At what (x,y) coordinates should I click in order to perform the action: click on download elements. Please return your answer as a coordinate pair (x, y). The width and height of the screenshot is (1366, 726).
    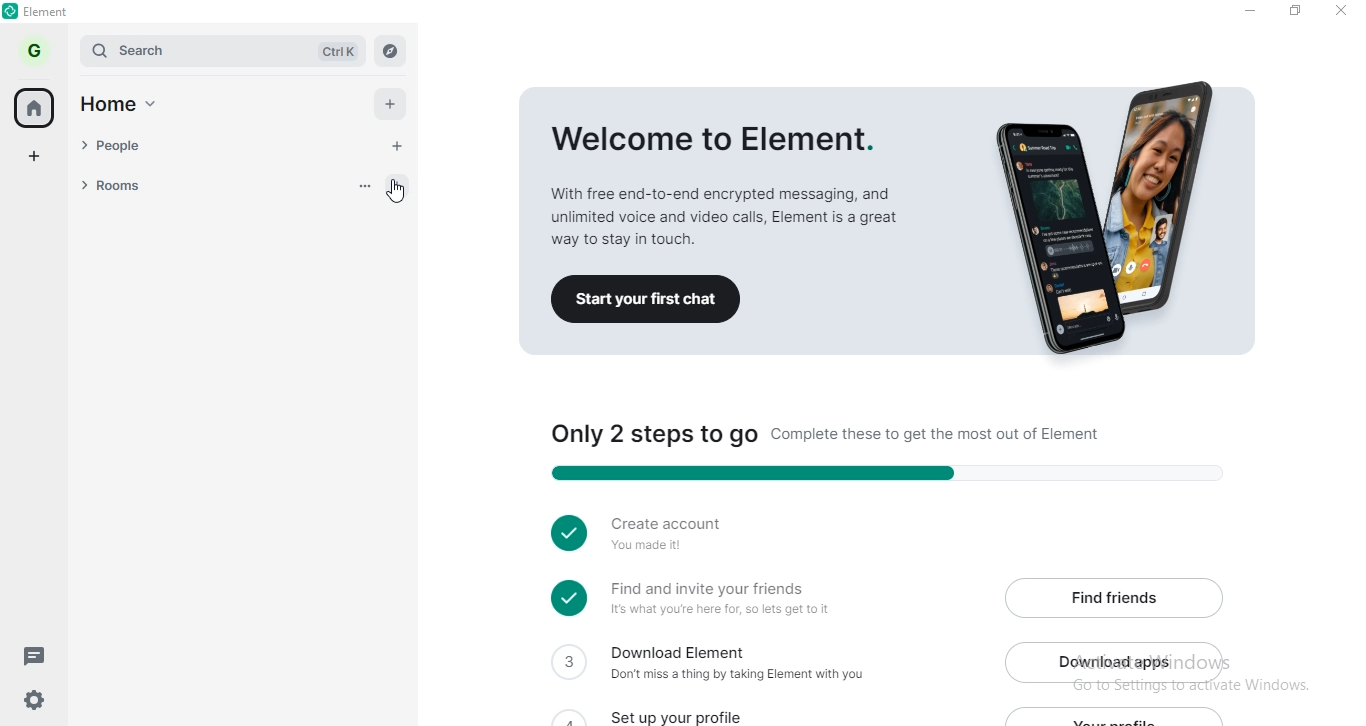
    Looking at the image, I should click on (722, 666).